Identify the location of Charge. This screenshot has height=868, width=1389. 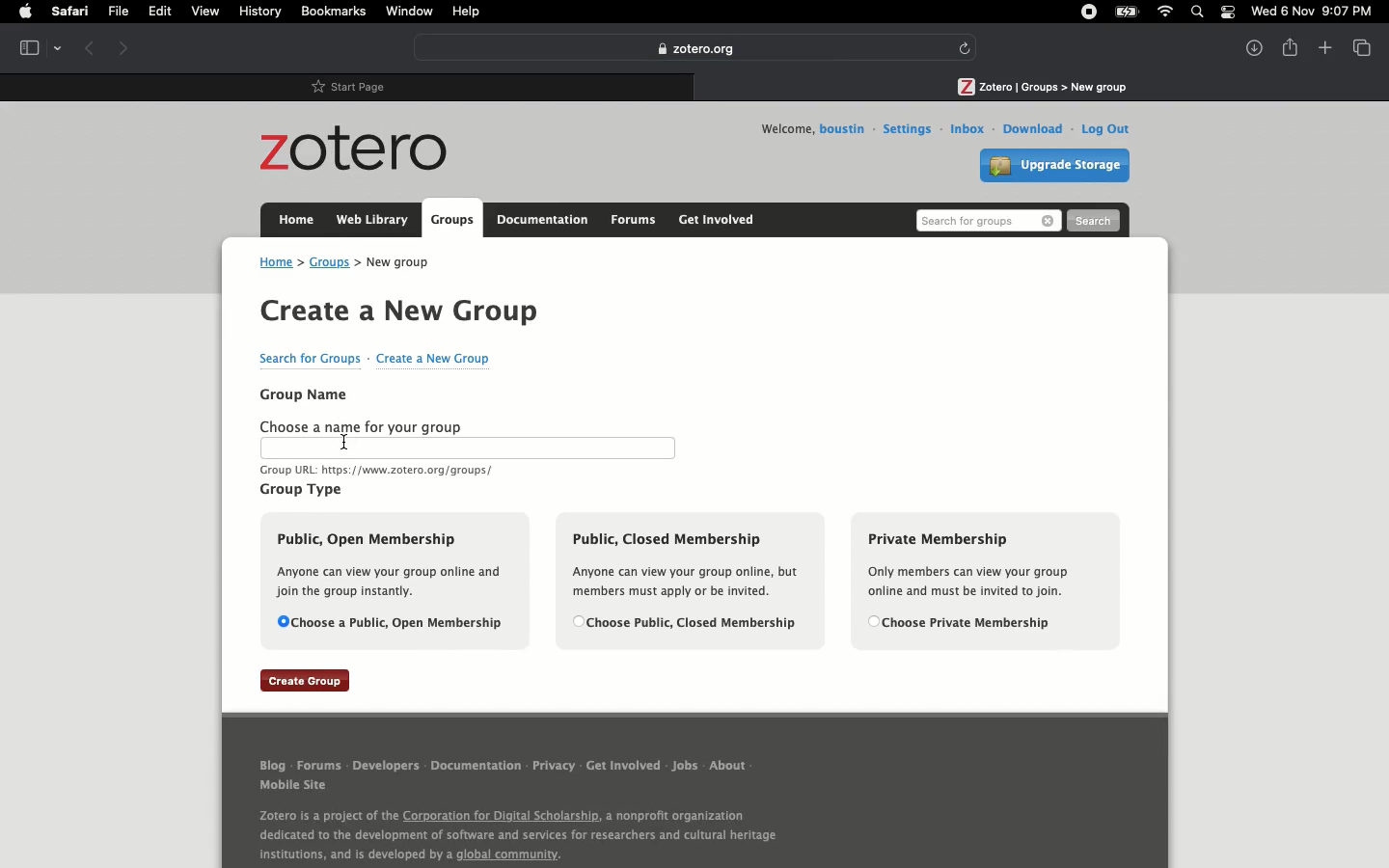
(1123, 12).